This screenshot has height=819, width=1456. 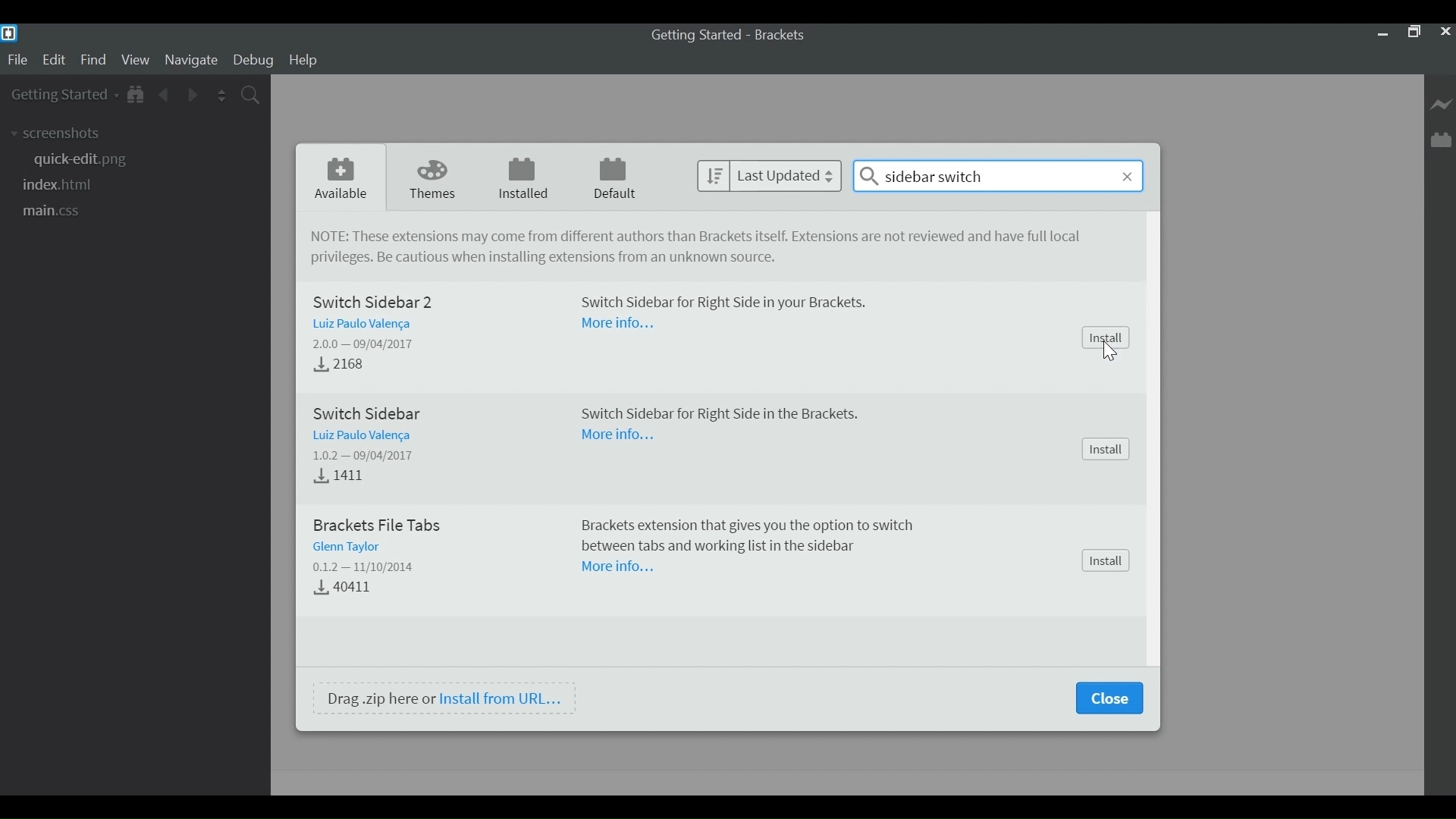 I want to click on Switch Sidebar for R, so click(x=712, y=412).